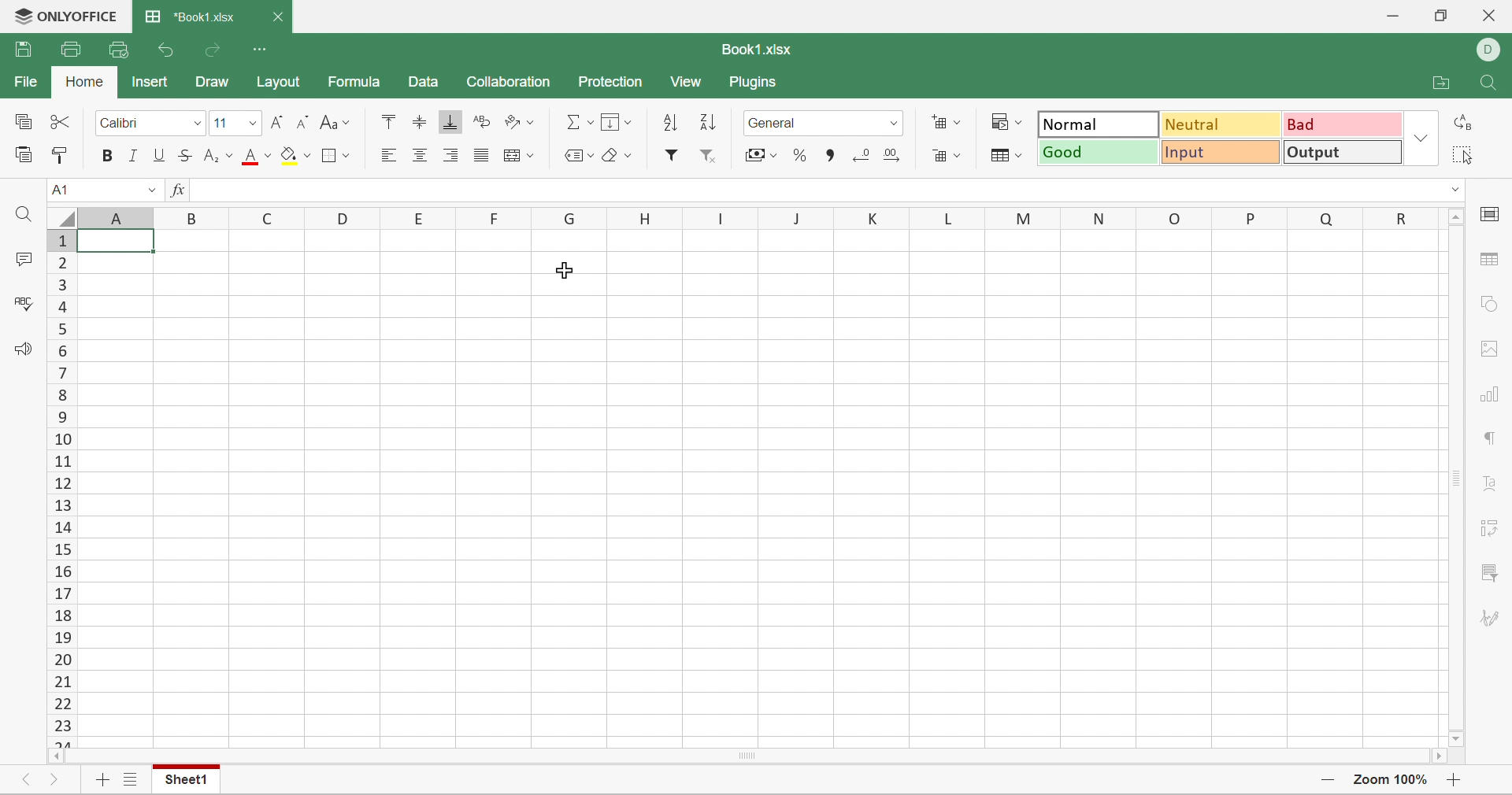 The height and width of the screenshot is (795, 1512). I want to click on Pivot table, so click(1491, 527).